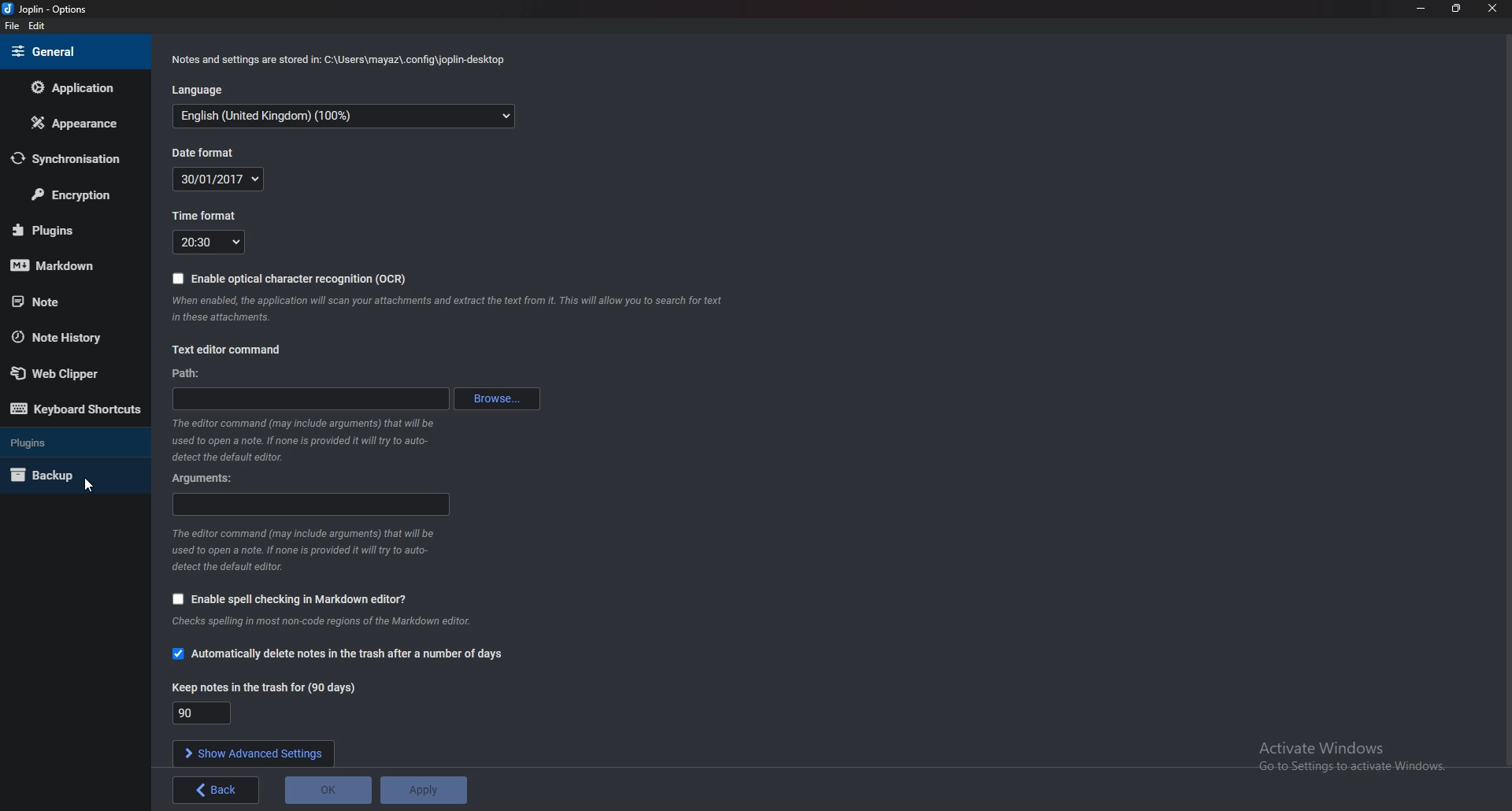 This screenshot has width=1512, height=811. I want to click on Date format, so click(208, 152).